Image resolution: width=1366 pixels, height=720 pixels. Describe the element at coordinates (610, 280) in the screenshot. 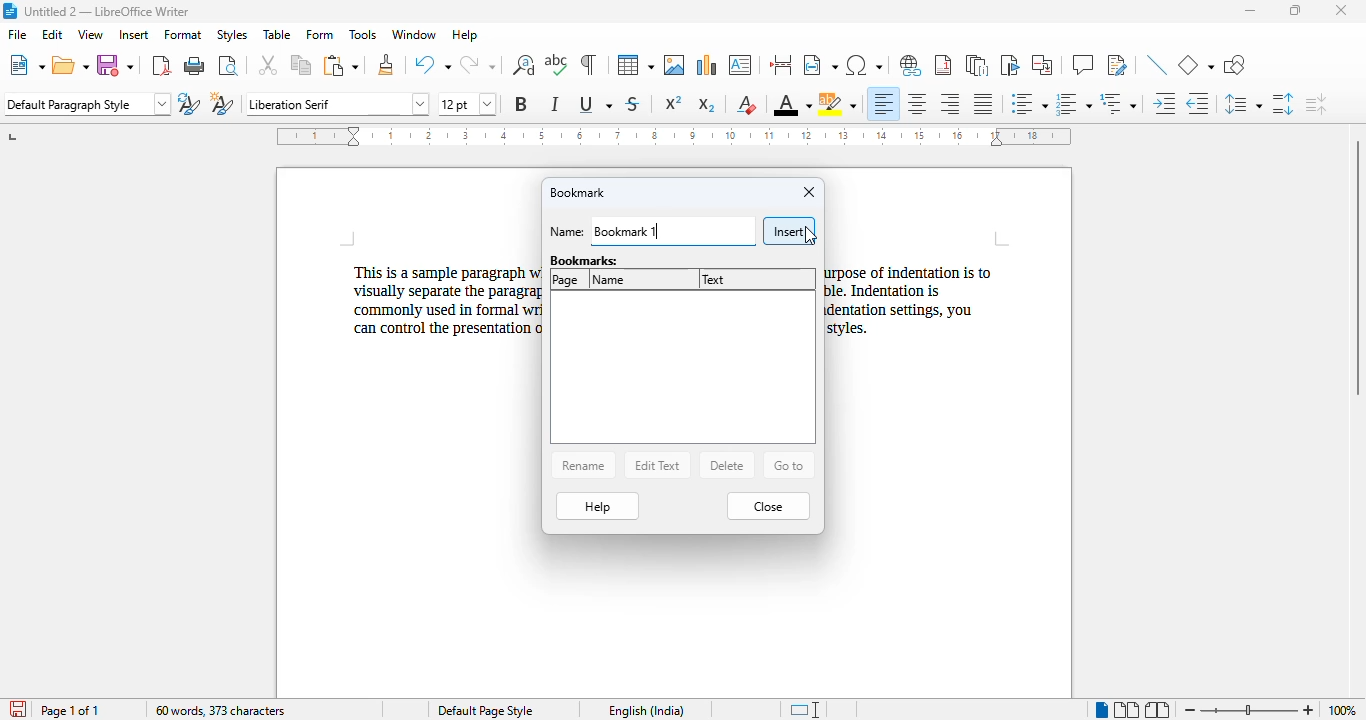

I see `name` at that location.